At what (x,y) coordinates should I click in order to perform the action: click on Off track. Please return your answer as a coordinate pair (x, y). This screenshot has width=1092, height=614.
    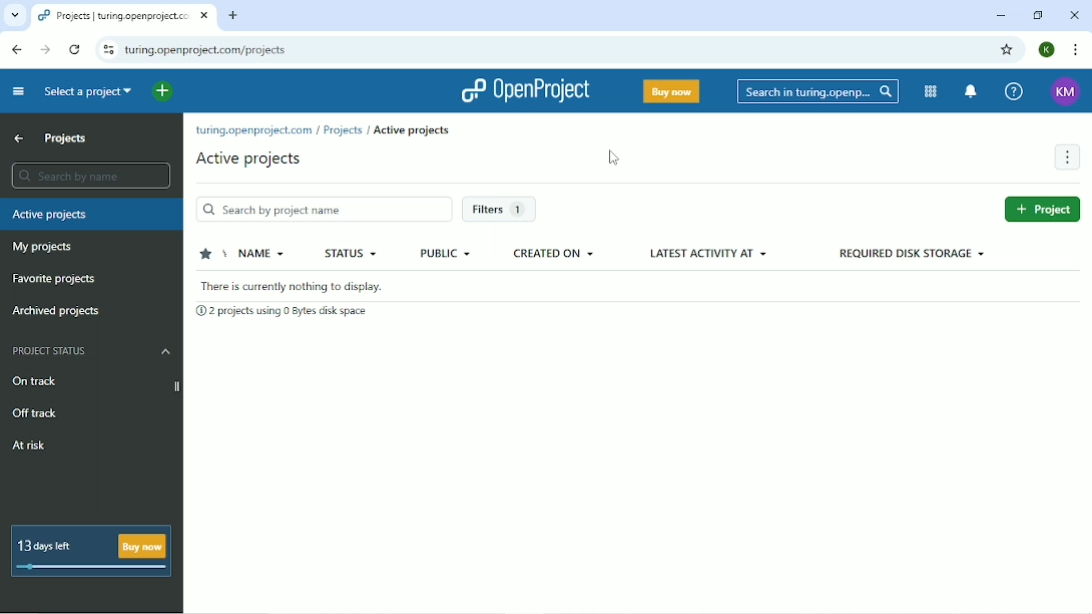
    Looking at the image, I should click on (35, 411).